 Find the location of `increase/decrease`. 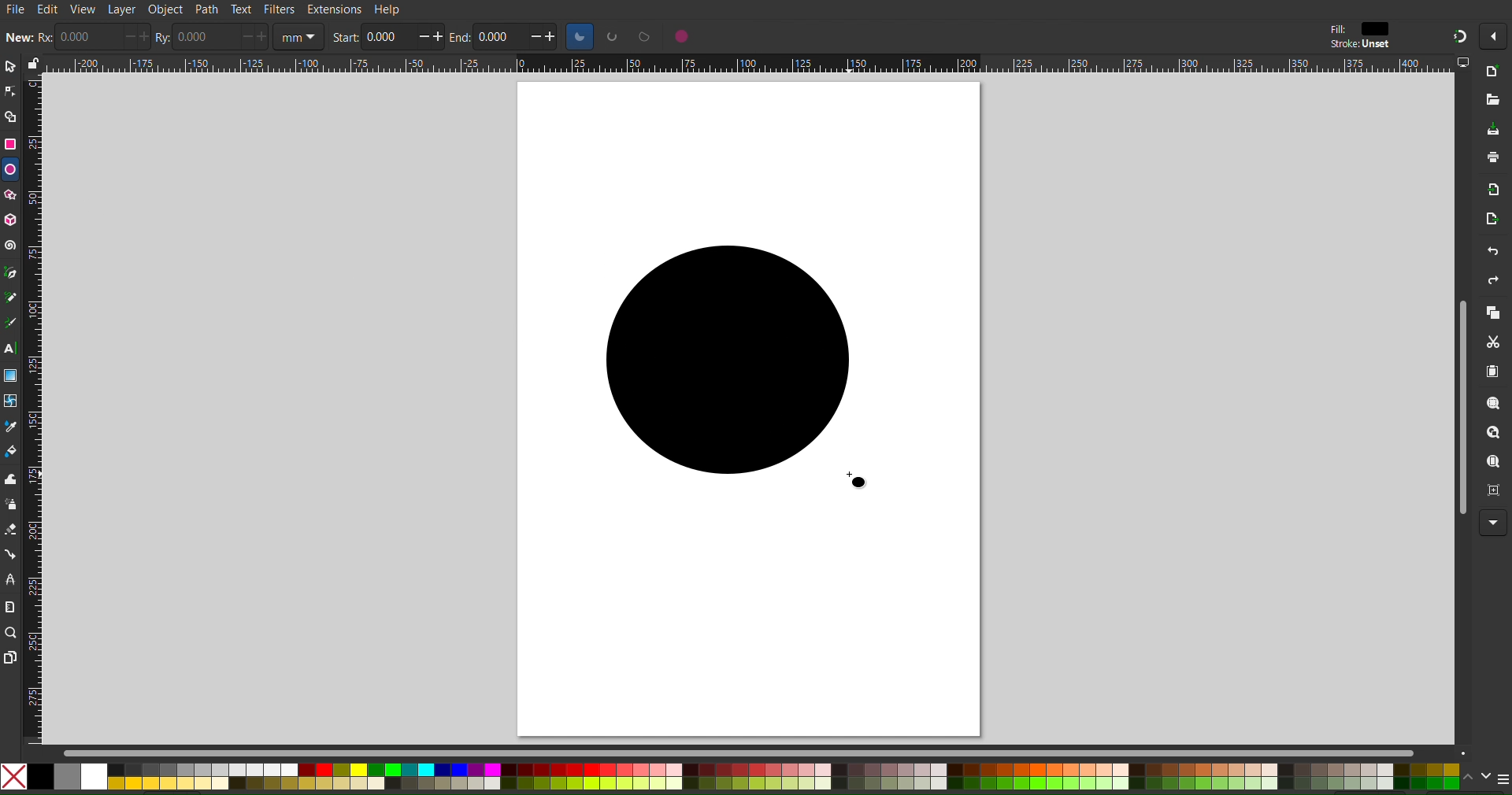

increase/decrease is located at coordinates (431, 37).